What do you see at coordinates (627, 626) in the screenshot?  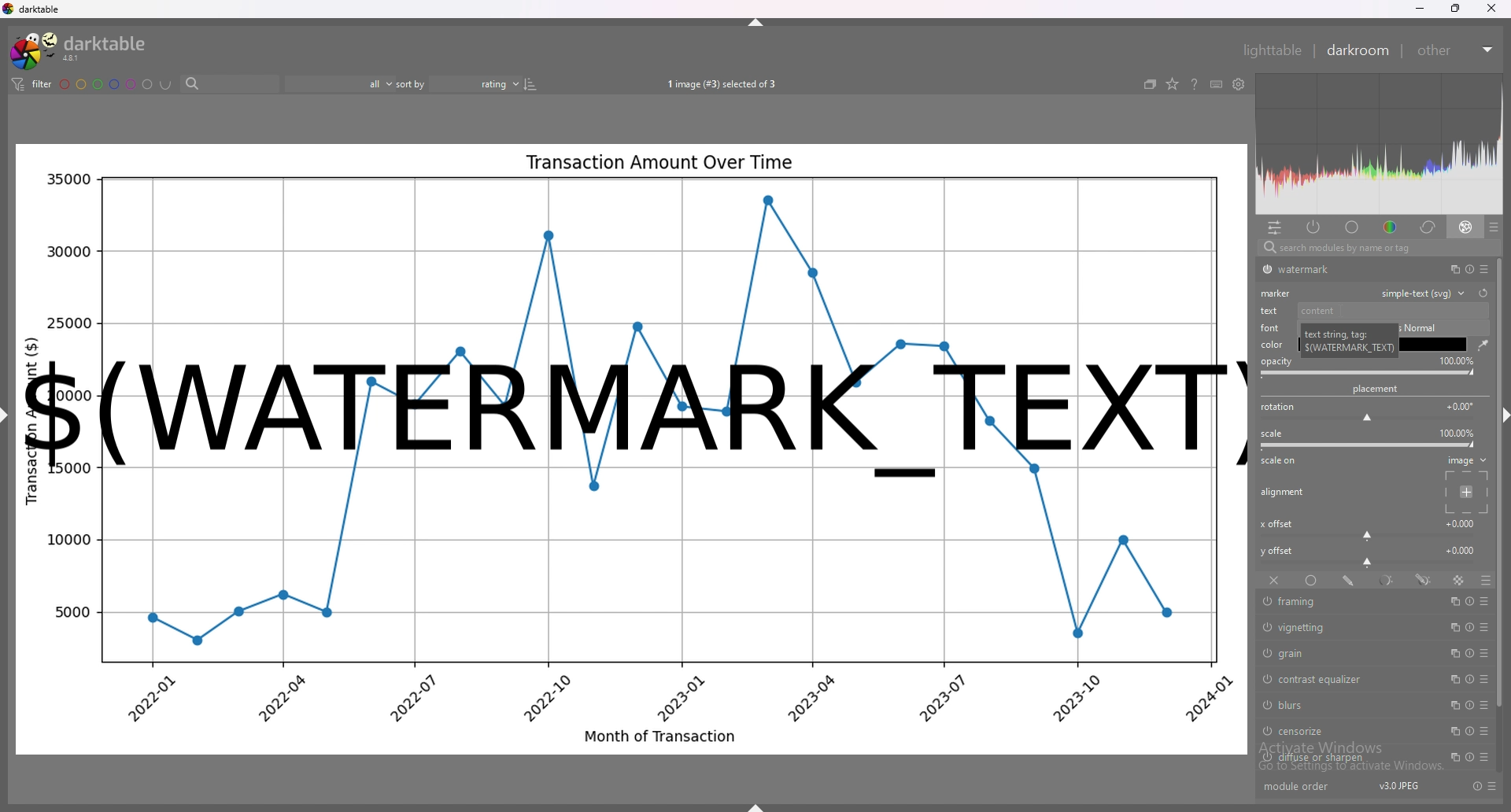 I see `graph` at bounding box center [627, 626].